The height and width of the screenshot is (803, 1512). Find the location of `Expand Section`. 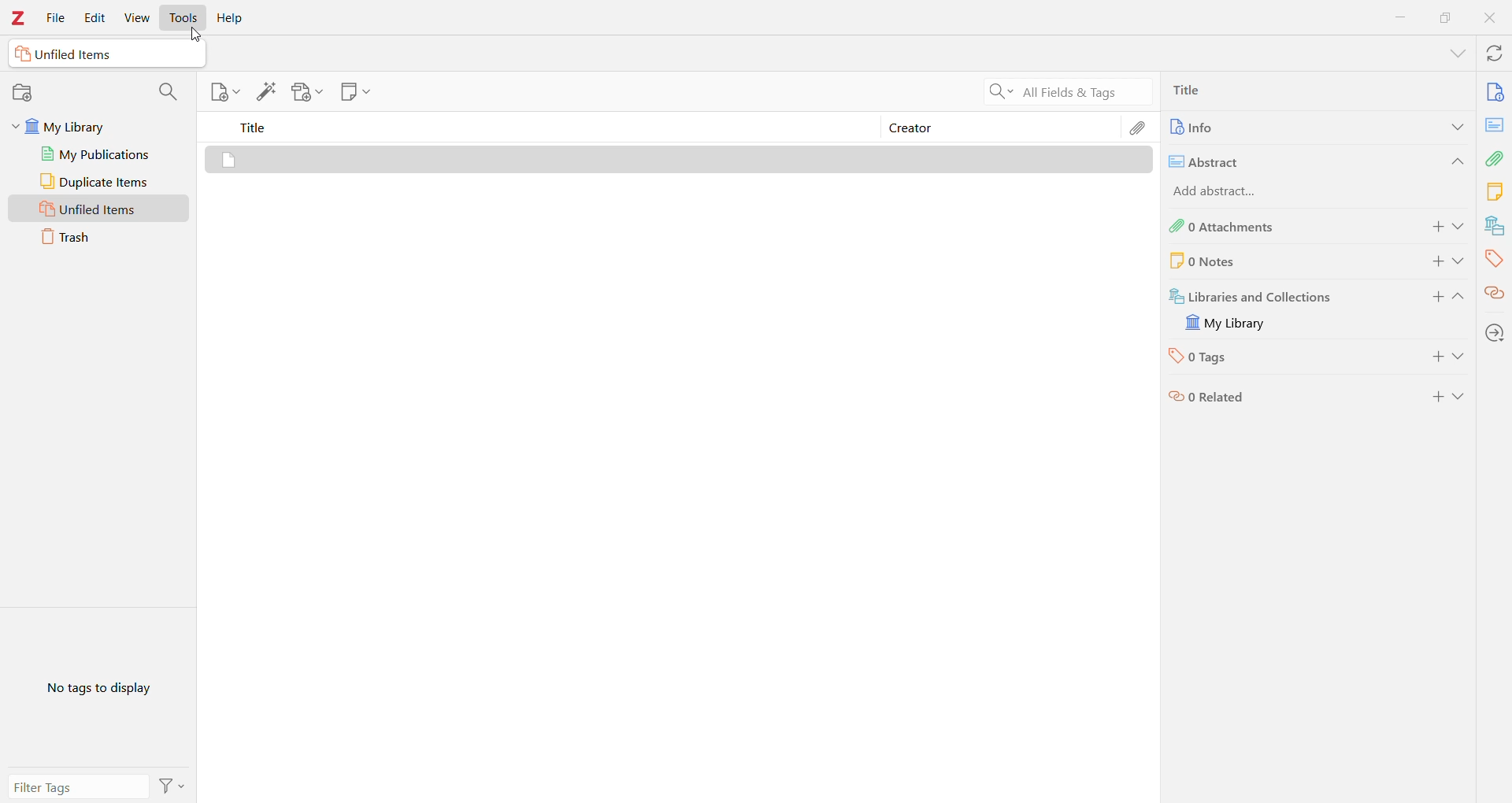

Expand Section is located at coordinates (1460, 398).